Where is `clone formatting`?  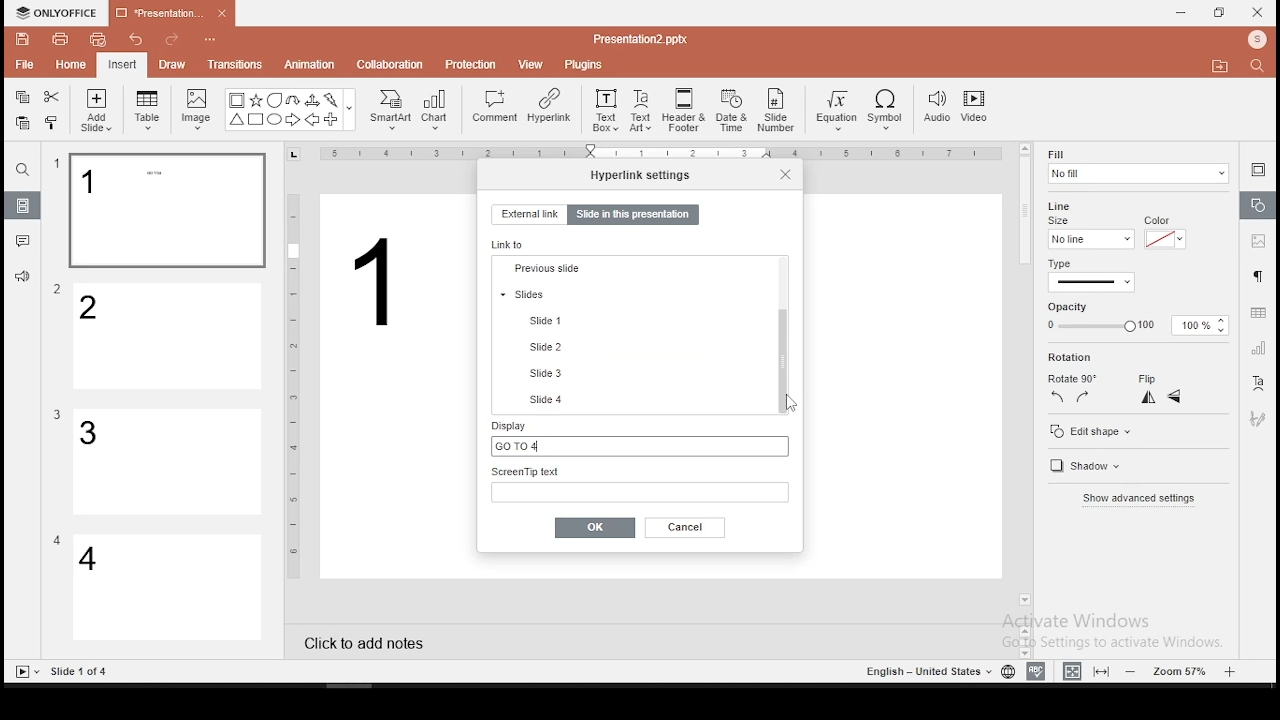
clone formatting is located at coordinates (55, 125).